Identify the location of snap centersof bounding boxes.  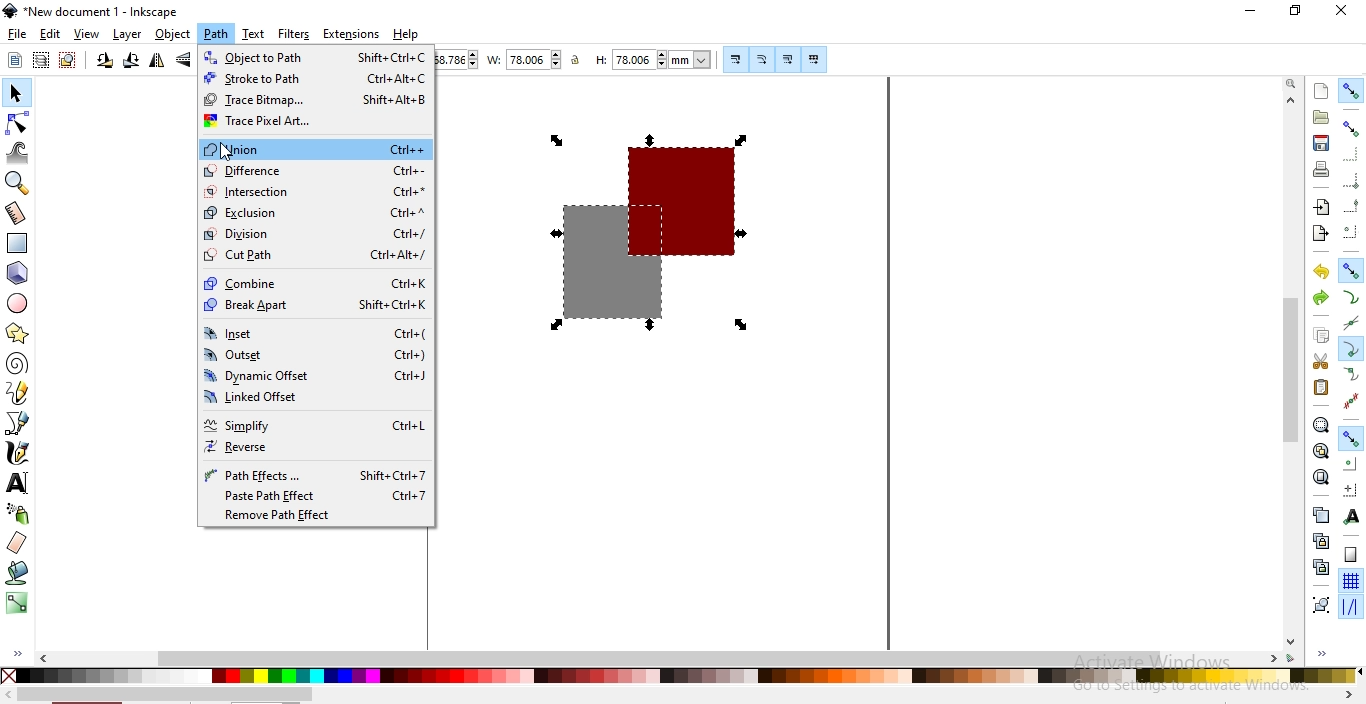
(1349, 233).